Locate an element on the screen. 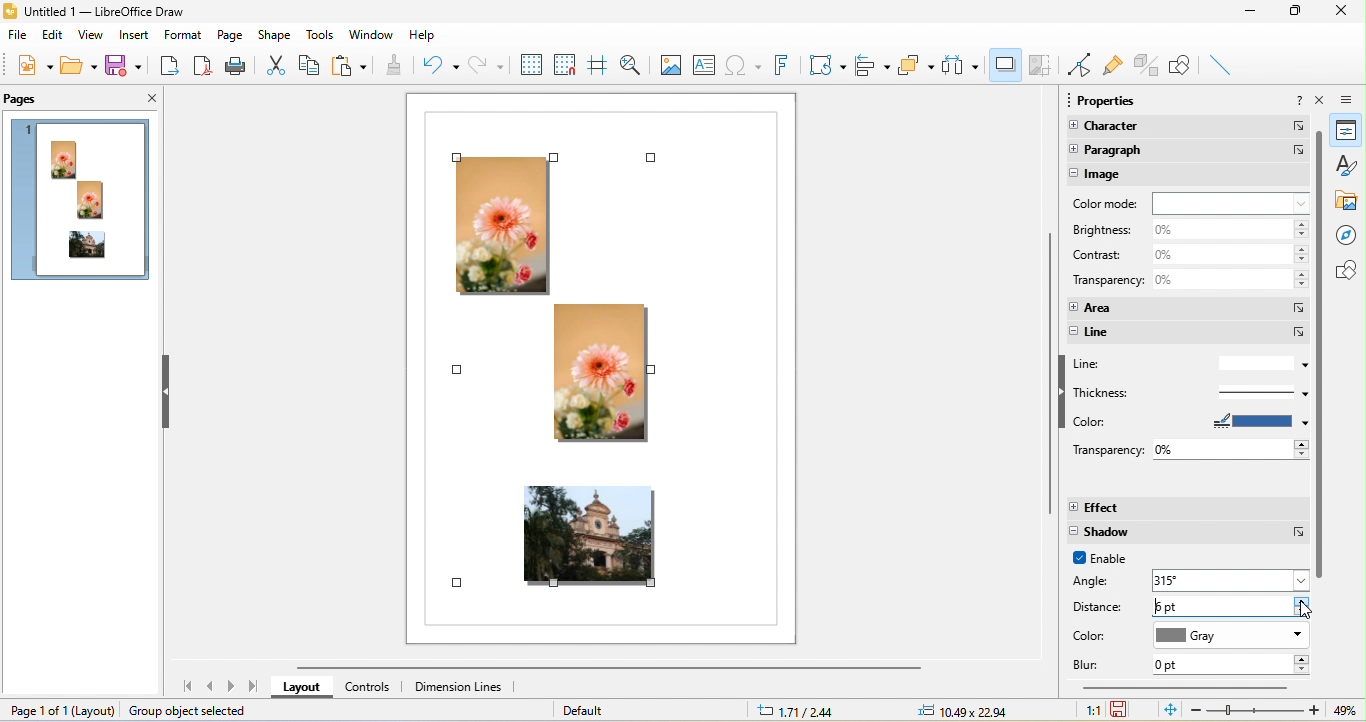 The width and height of the screenshot is (1366, 722). 1.71/2.44 is located at coordinates (801, 711).